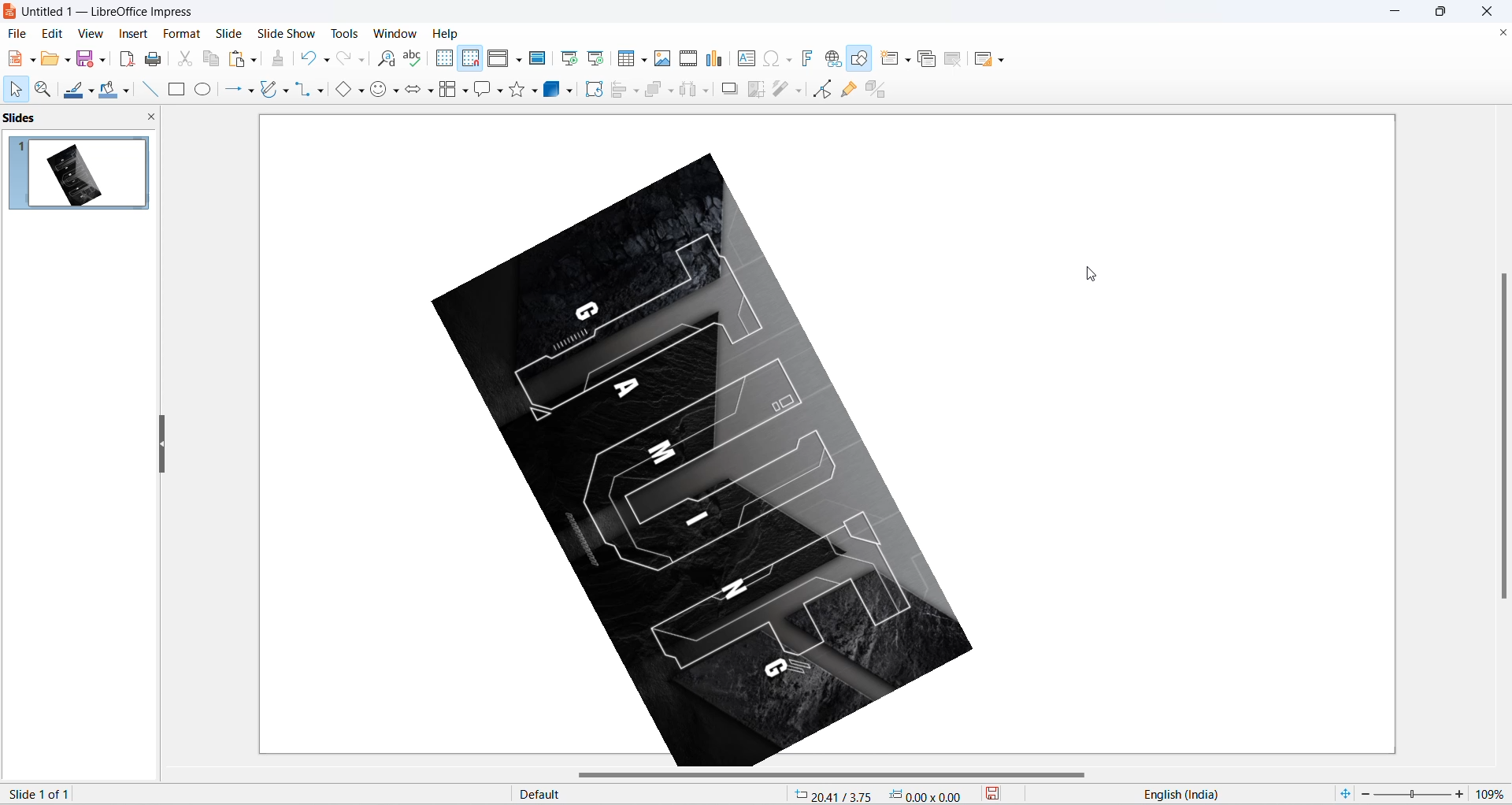 Image resolution: width=1512 pixels, height=805 pixels. What do you see at coordinates (413, 59) in the screenshot?
I see `spelling` at bounding box center [413, 59].